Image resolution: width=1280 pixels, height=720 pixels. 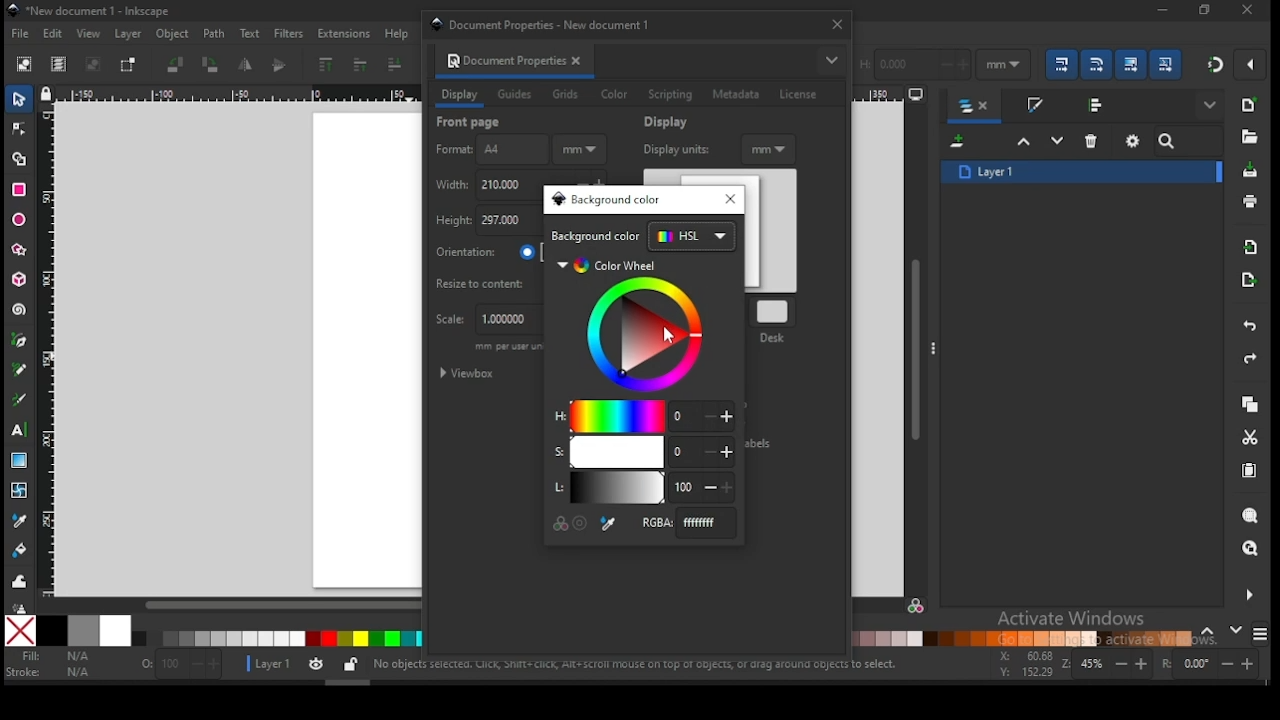 I want to click on units, so click(x=579, y=150).